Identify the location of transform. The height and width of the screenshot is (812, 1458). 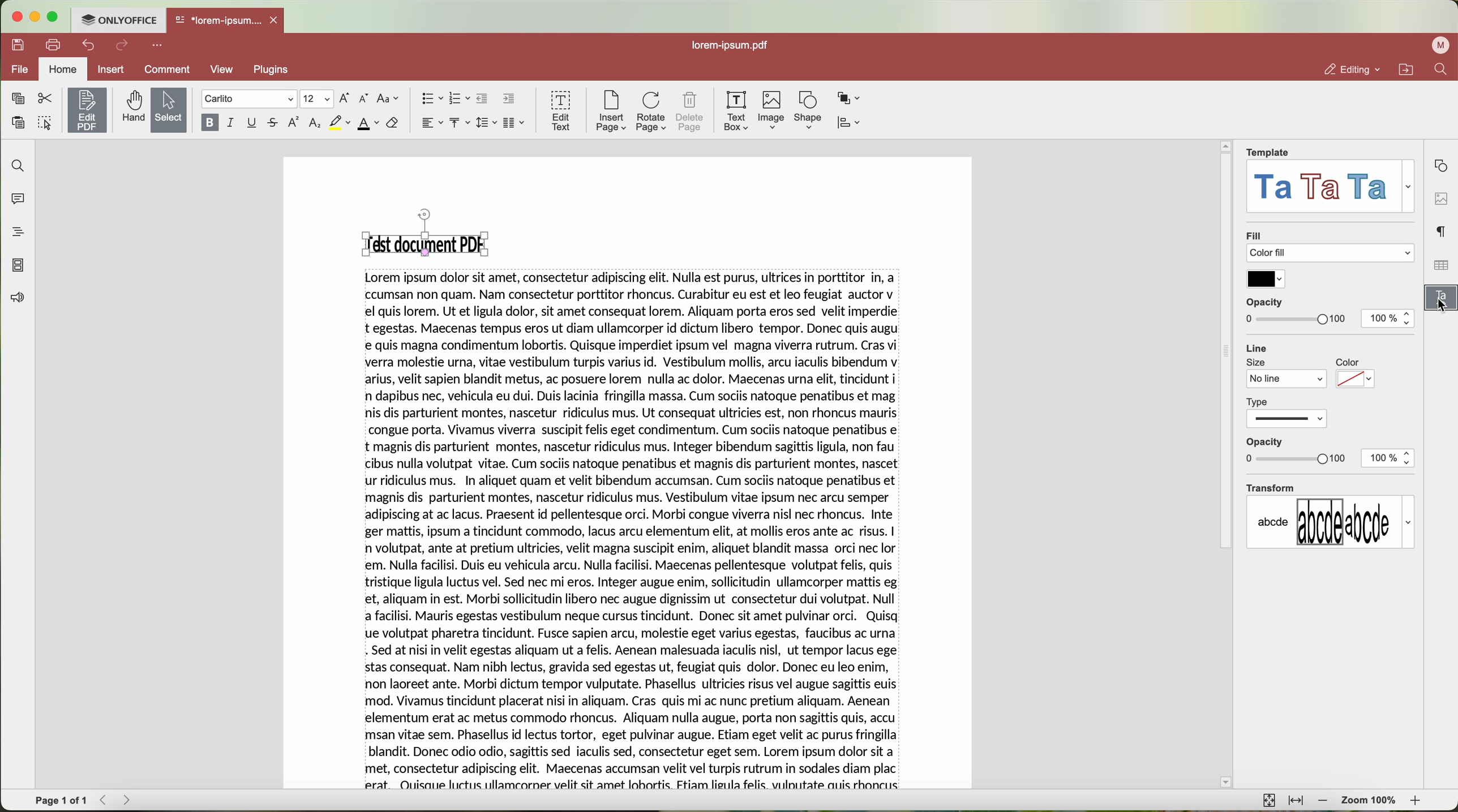
(1270, 487).